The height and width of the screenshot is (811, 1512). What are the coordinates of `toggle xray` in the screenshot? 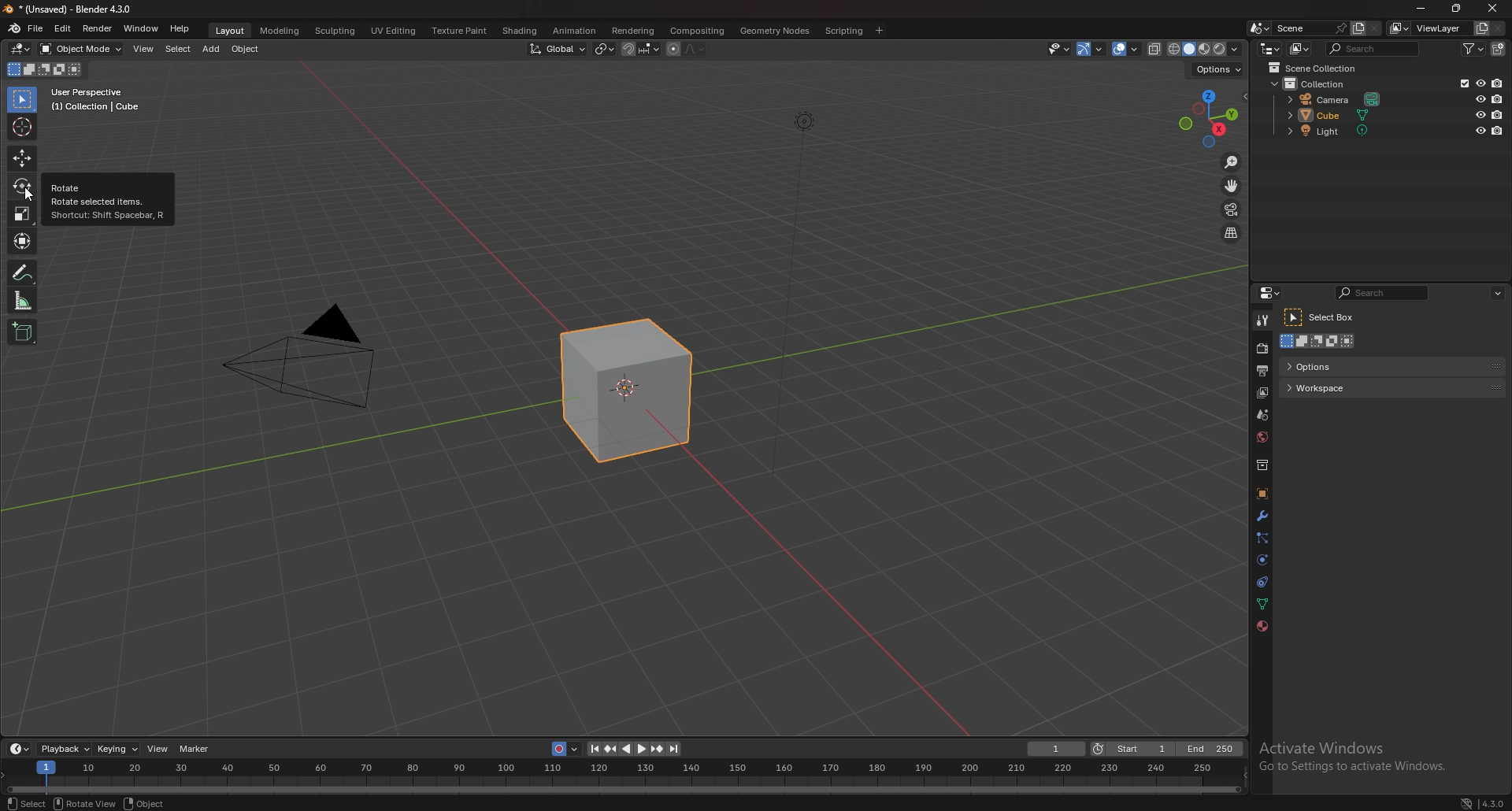 It's located at (1155, 49).